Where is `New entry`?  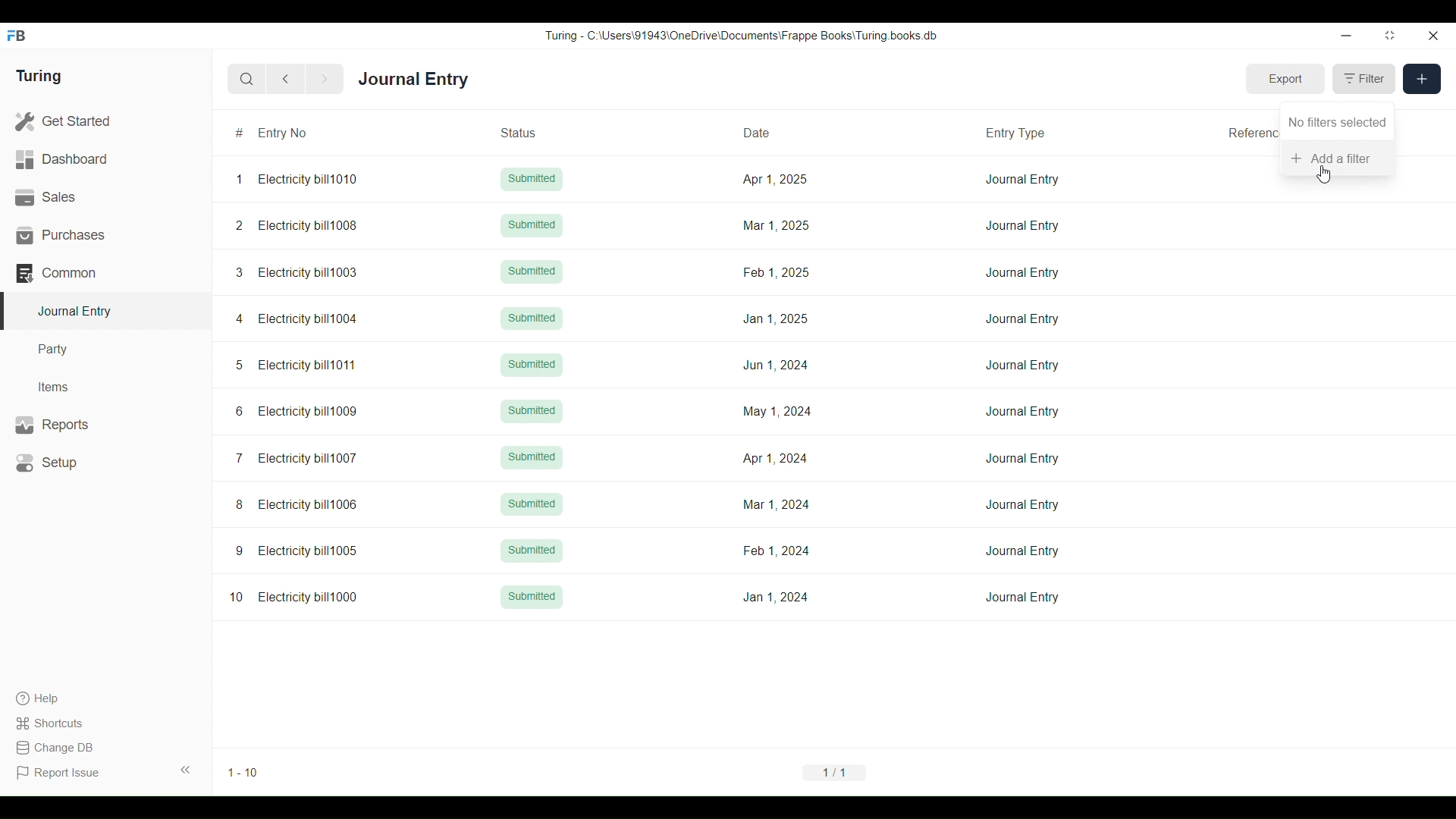
New entry is located at coordinates (1422, 79).